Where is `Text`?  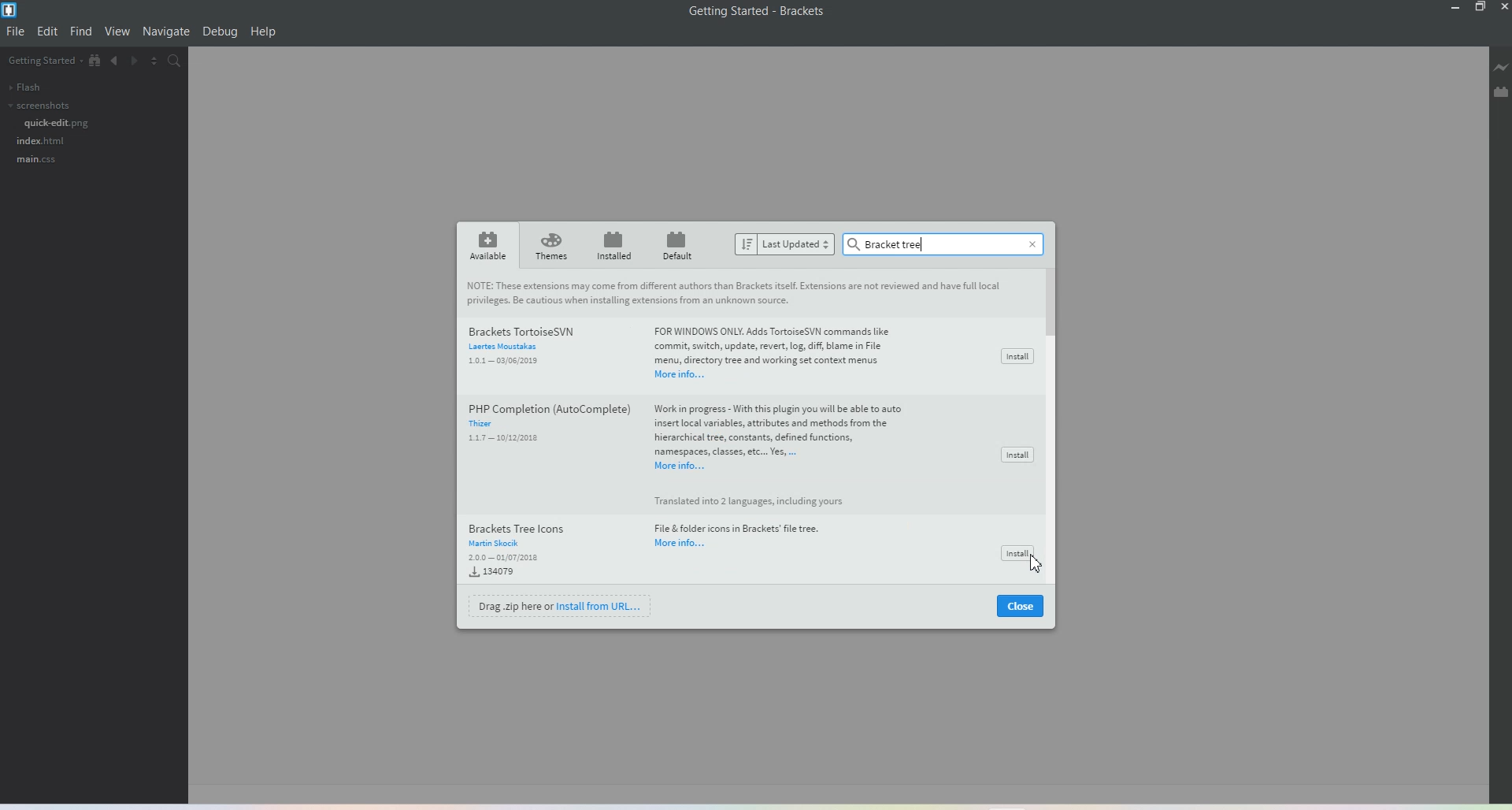 Text is located at coordinates (888, 243).